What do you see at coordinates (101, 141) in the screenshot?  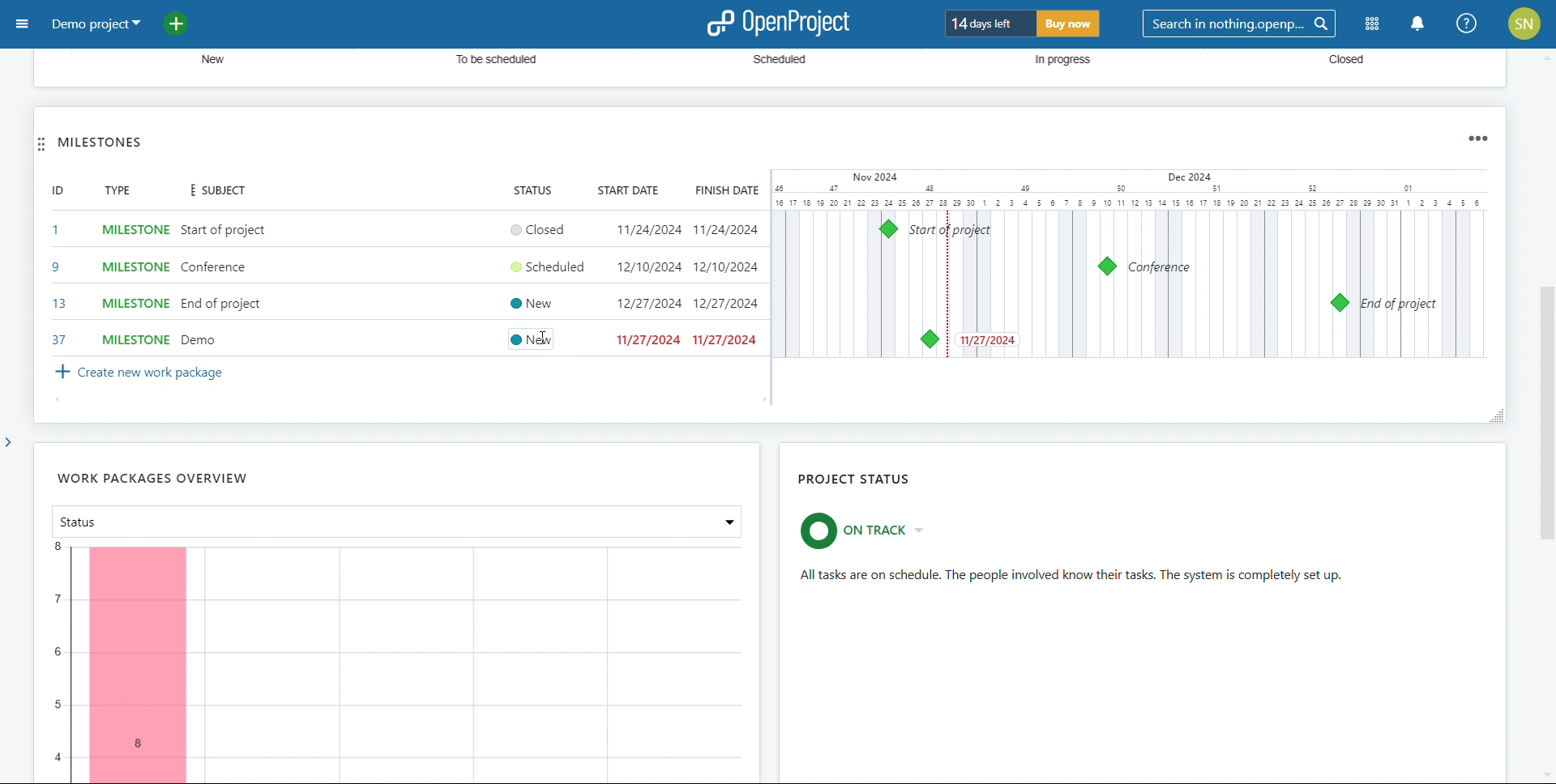 I see `milestones` at bounding box center [101, 141].